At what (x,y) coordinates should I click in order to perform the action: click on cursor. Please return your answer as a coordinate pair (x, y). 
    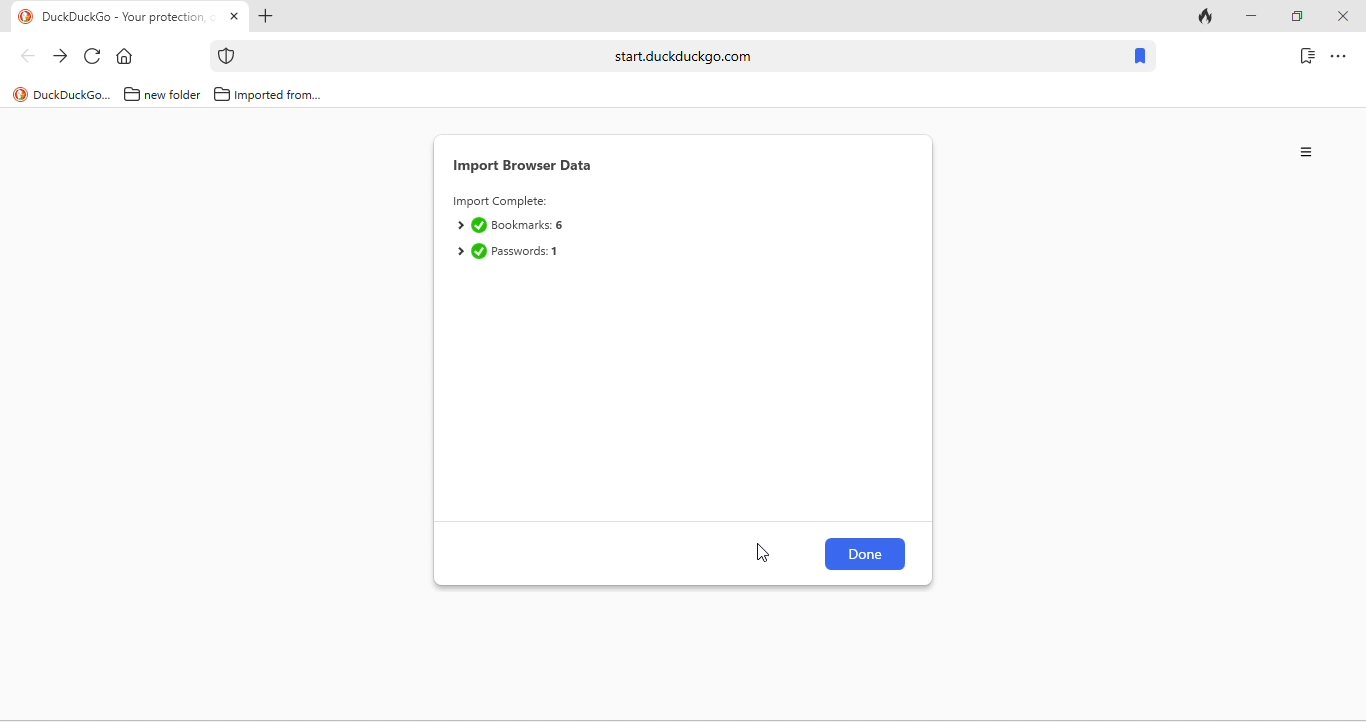
    Looking at the image, I should click on (764, 552).